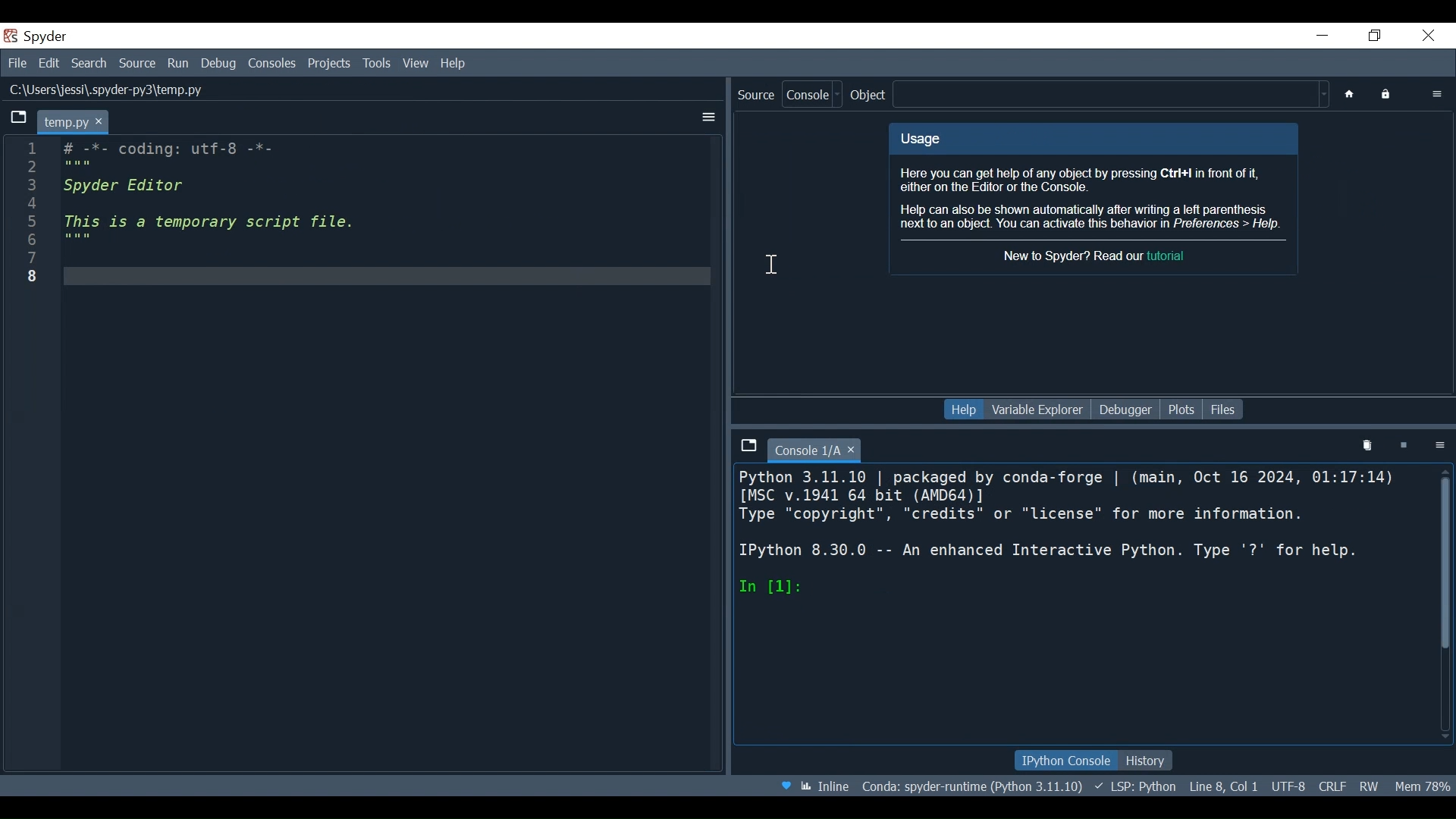  Describe the element at coordinates (808, 95) in the screenshot. I see `Console` at that location.